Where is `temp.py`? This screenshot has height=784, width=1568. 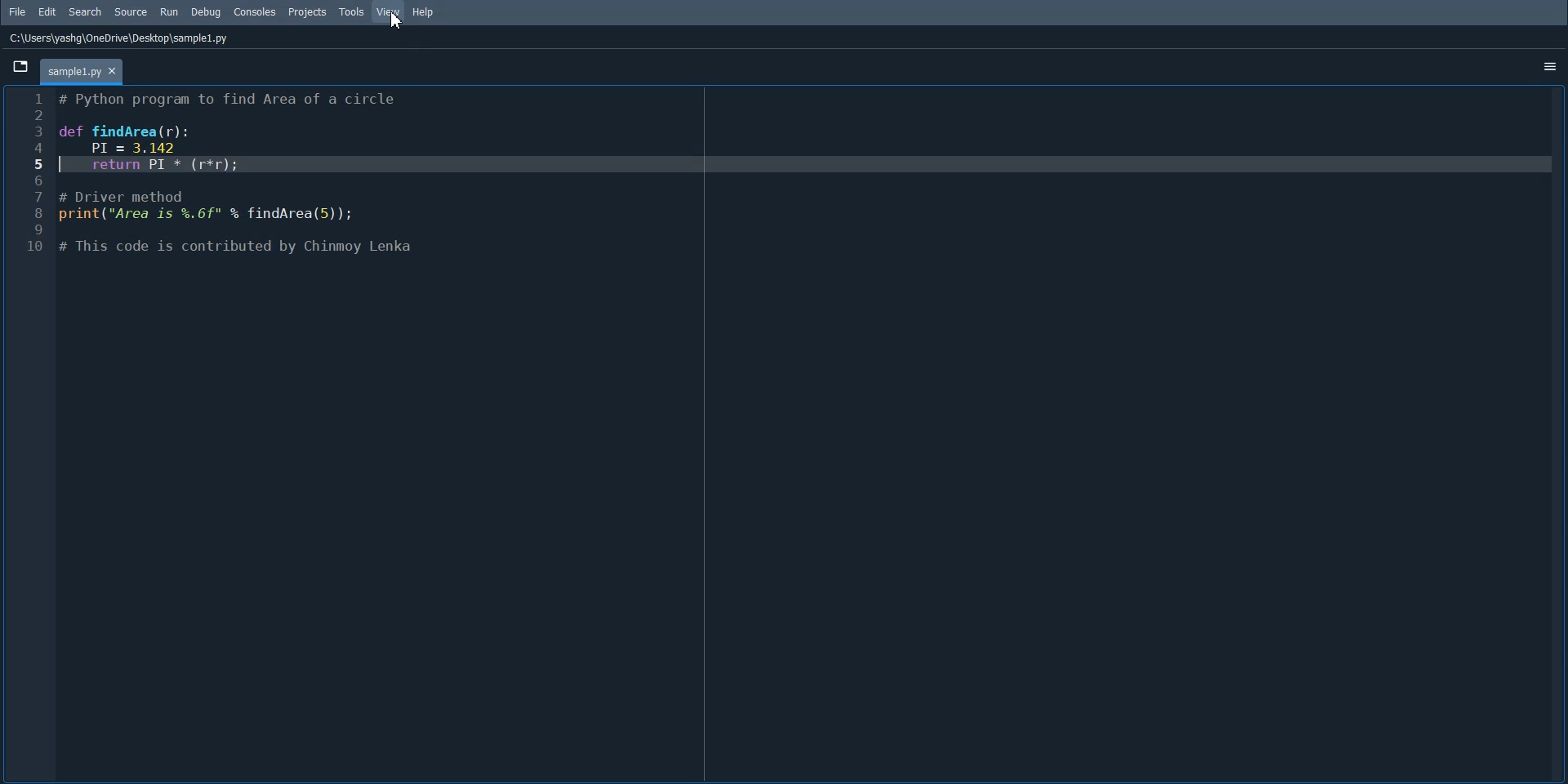
temp.py is located at coordinates (82, 73).